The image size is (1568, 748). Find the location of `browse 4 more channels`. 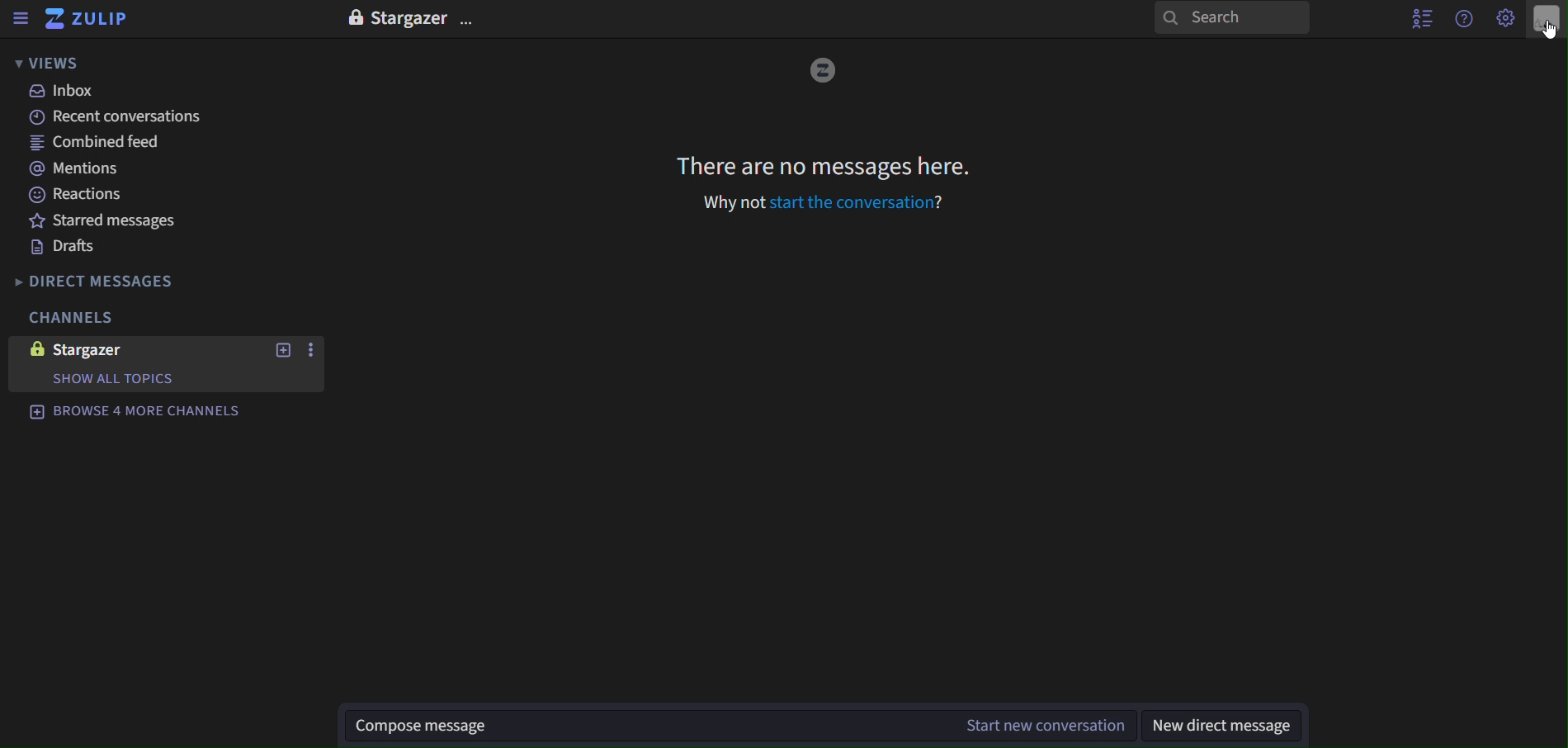

browse 4 more channels is located at coordinates (132, 411).